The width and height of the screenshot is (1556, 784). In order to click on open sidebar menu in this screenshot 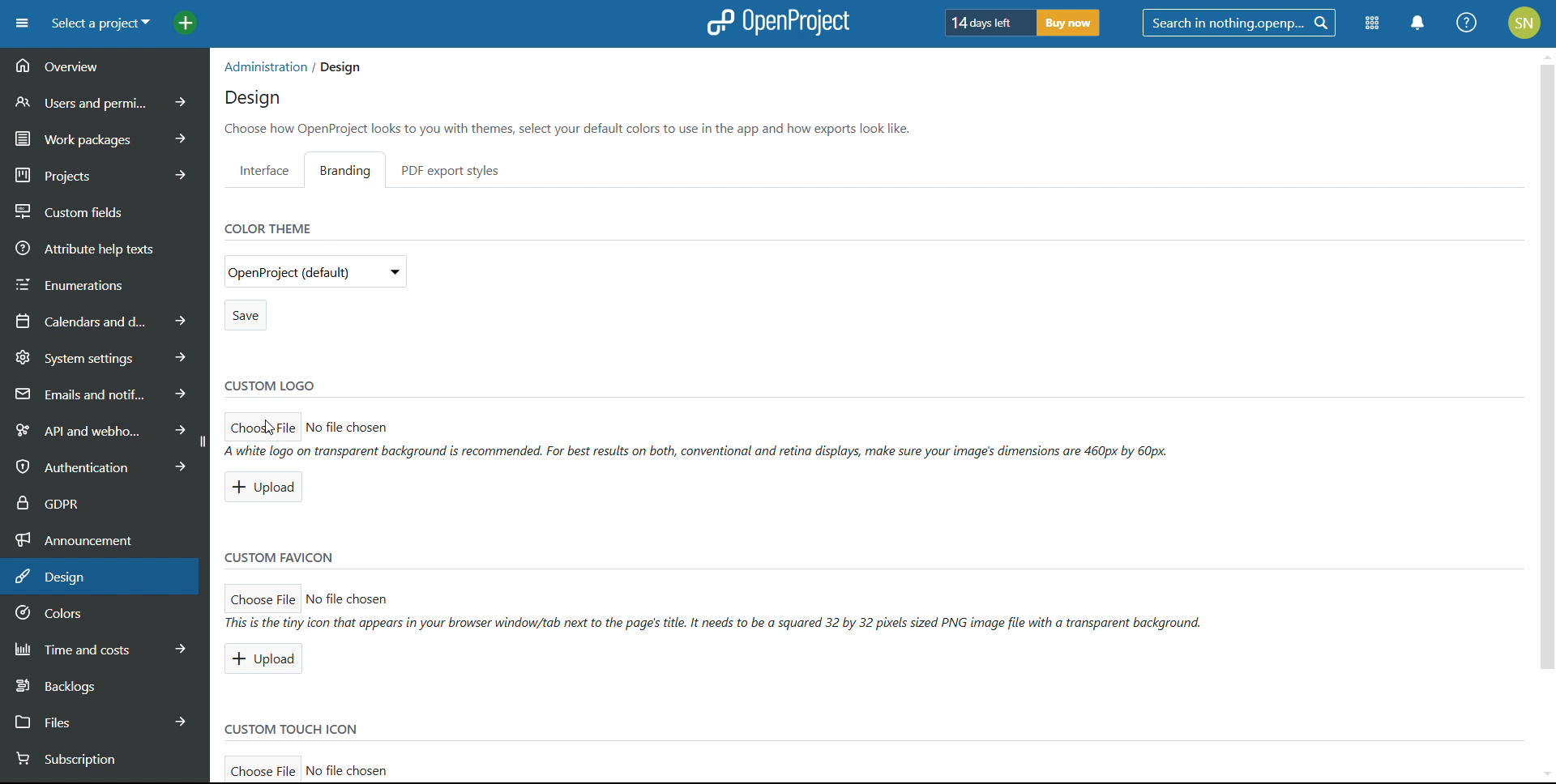, I will do `click(22, 23)`.